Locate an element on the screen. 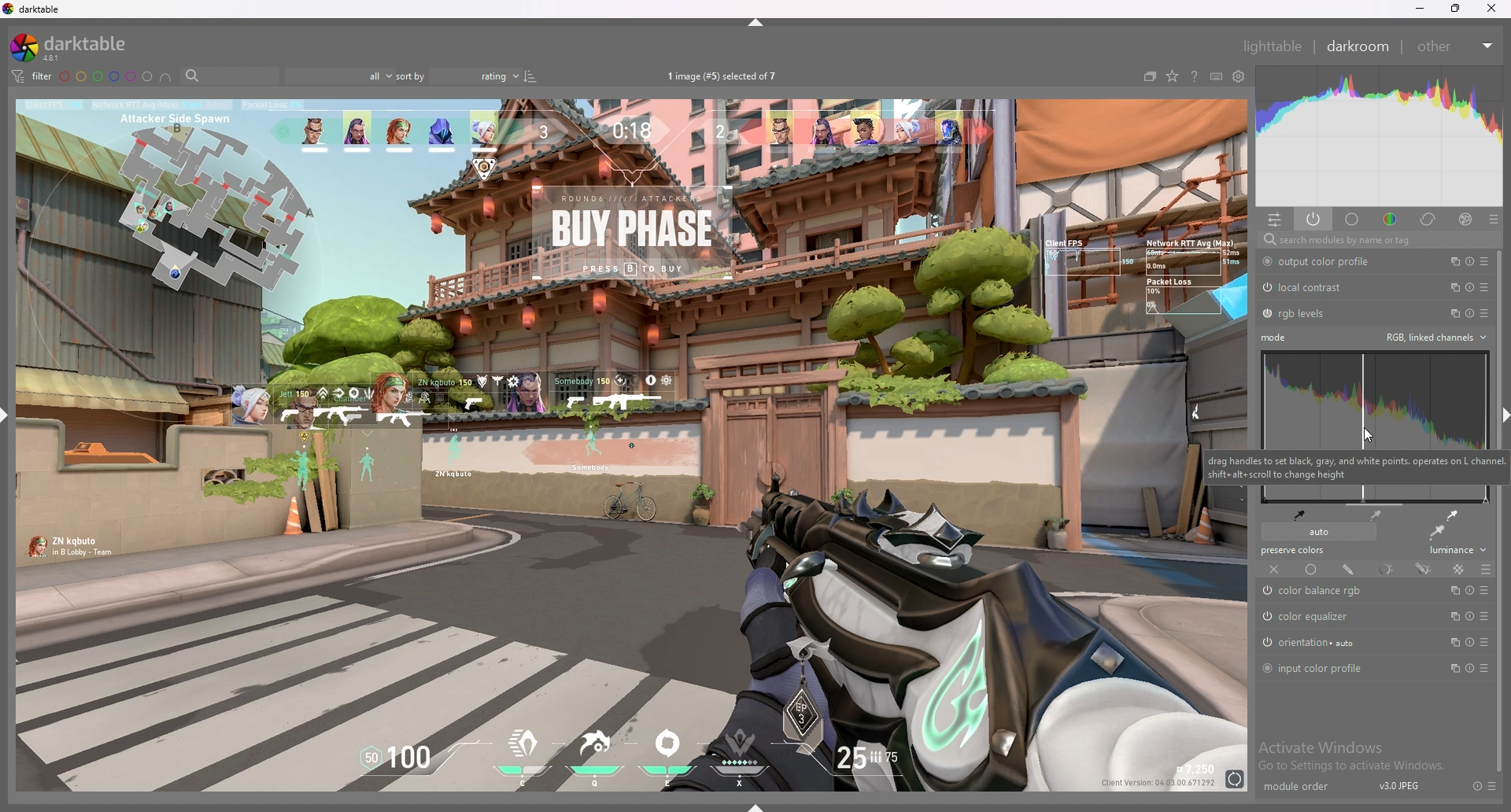 Image resolution: width=1511 pixels, height=812 pixels. off is located at coordinates (1275, 570).